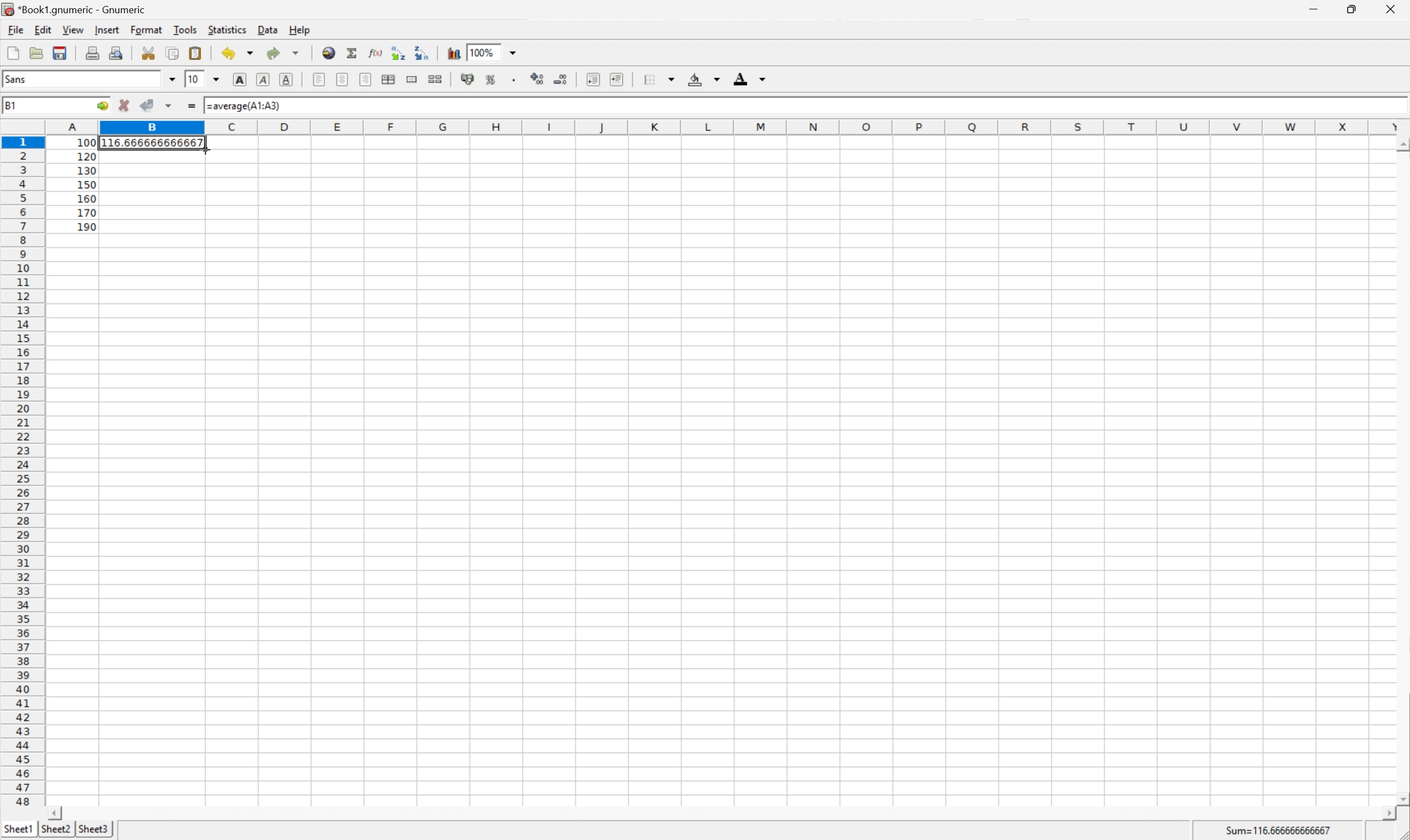 The height and width of the screenshot is (840, 1410). Describe the element at coordinates (241, 82) in the screenshot. I see `Bold` at that location.